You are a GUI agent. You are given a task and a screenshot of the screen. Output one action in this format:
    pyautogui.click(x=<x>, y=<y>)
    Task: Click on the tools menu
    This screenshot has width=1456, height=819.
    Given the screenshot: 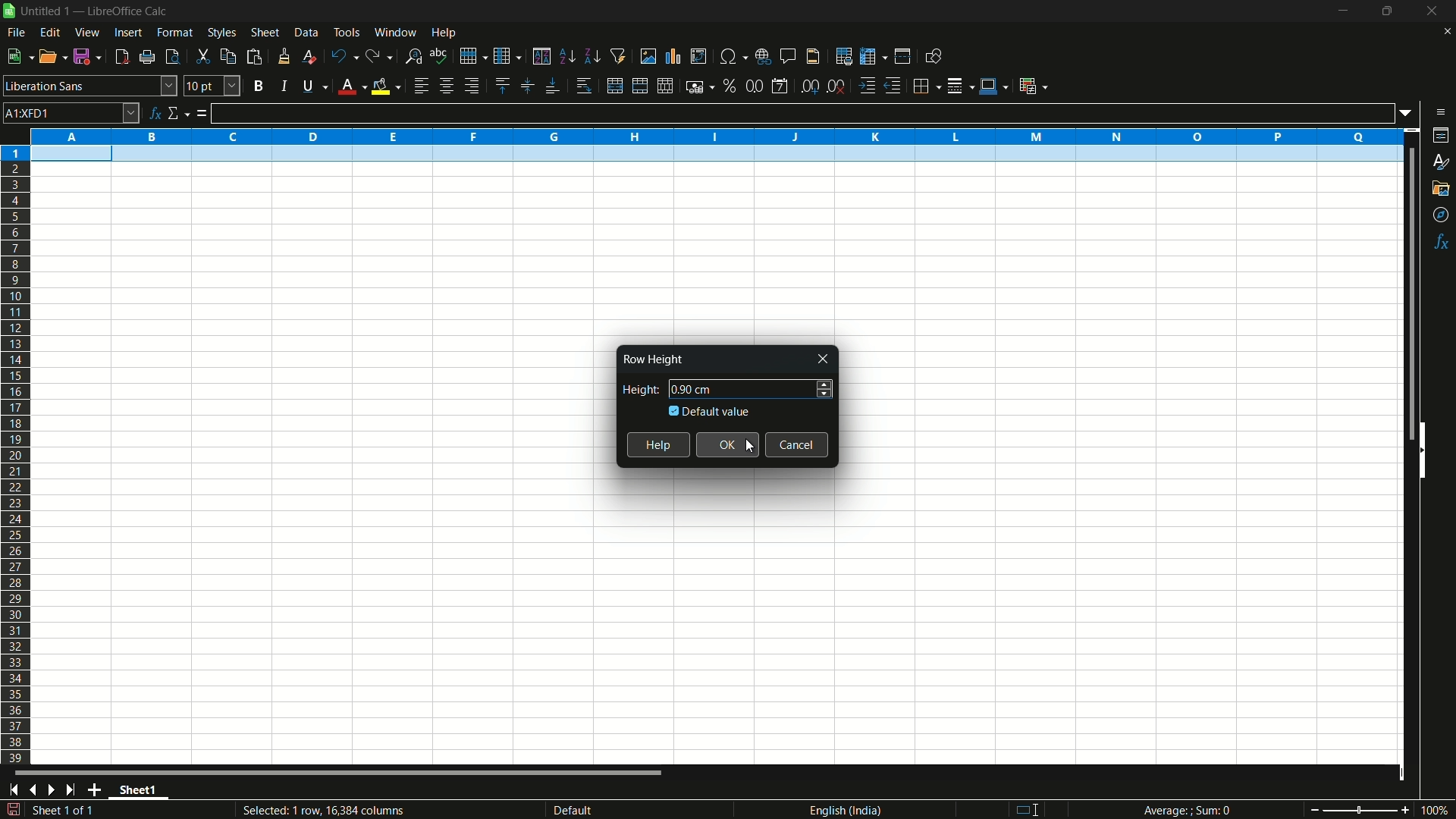 What is the action you would take?
    pyautogui.click(x=346, y=32)
    